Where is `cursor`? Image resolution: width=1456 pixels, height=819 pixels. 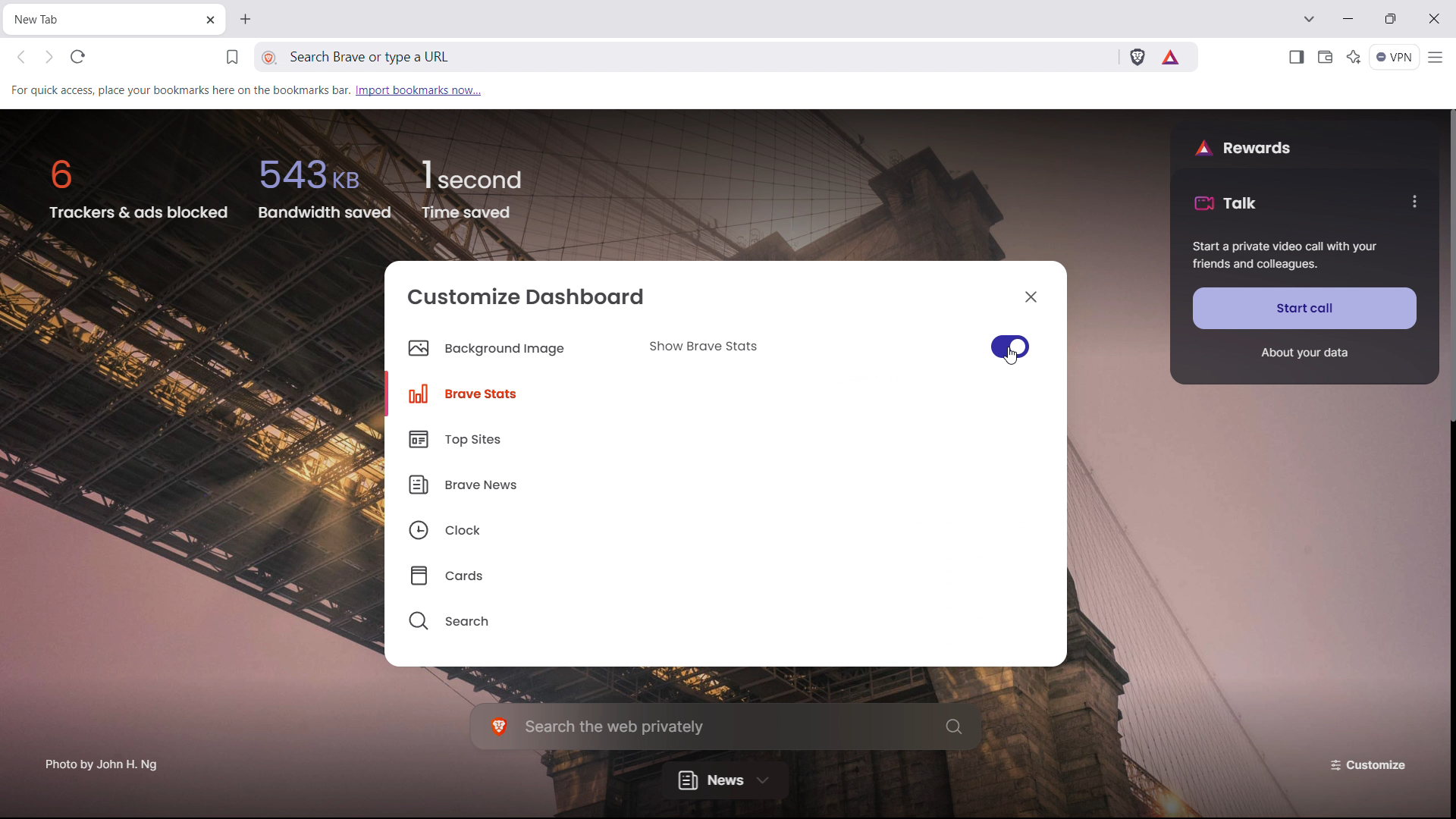
cursor is located at coordinates (1013, 356).